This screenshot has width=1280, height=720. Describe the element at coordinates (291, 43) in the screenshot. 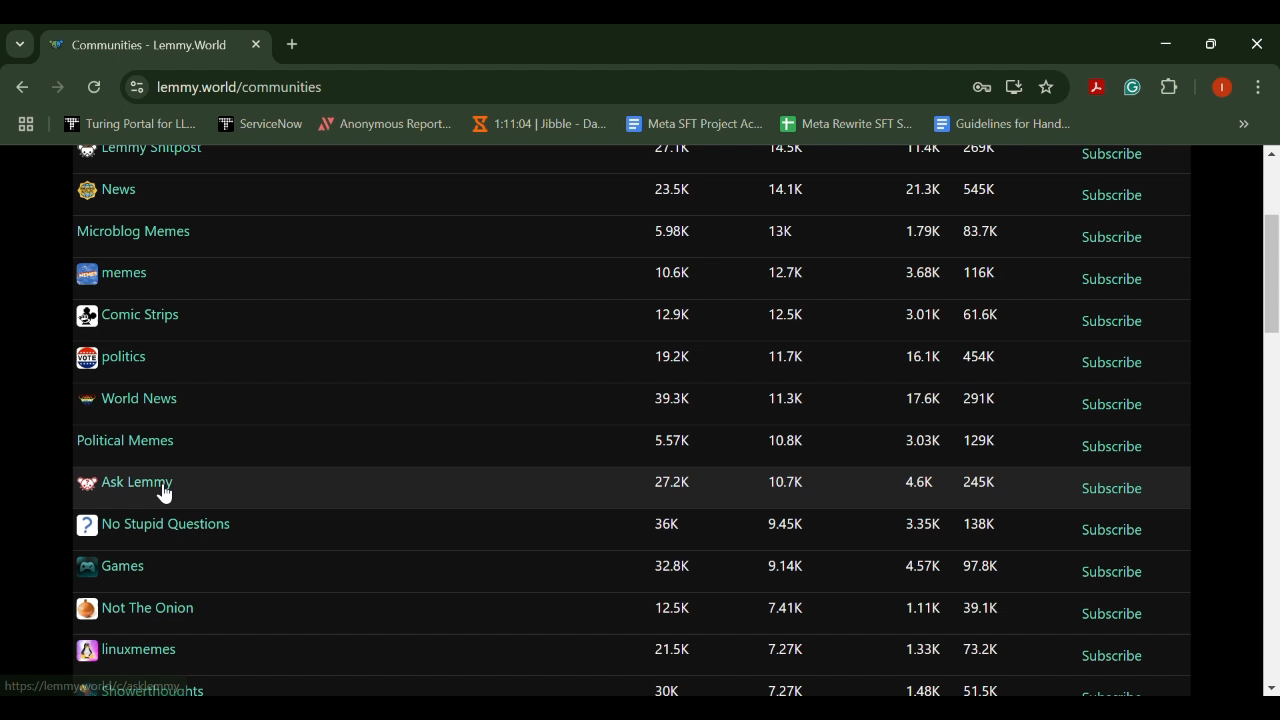

I see `Add Tab` at that location.